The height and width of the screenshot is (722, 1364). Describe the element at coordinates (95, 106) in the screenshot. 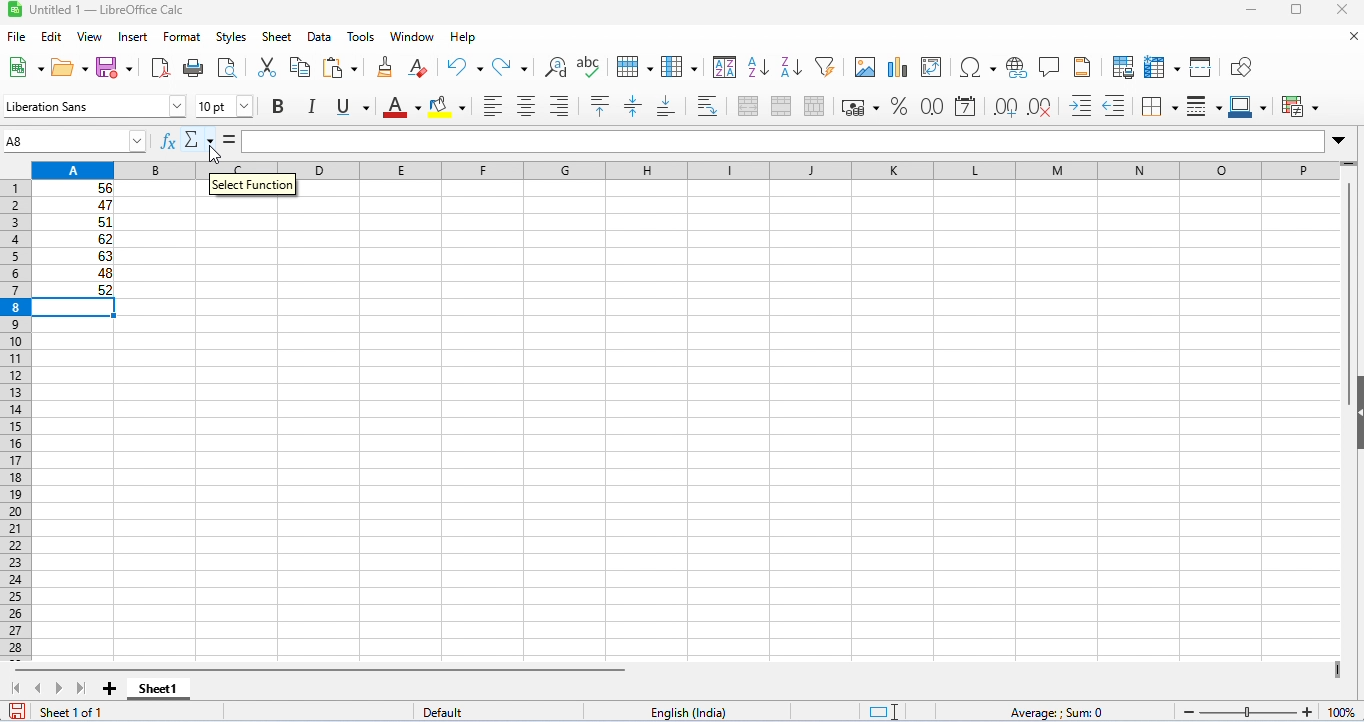

I see `font style` at that location.